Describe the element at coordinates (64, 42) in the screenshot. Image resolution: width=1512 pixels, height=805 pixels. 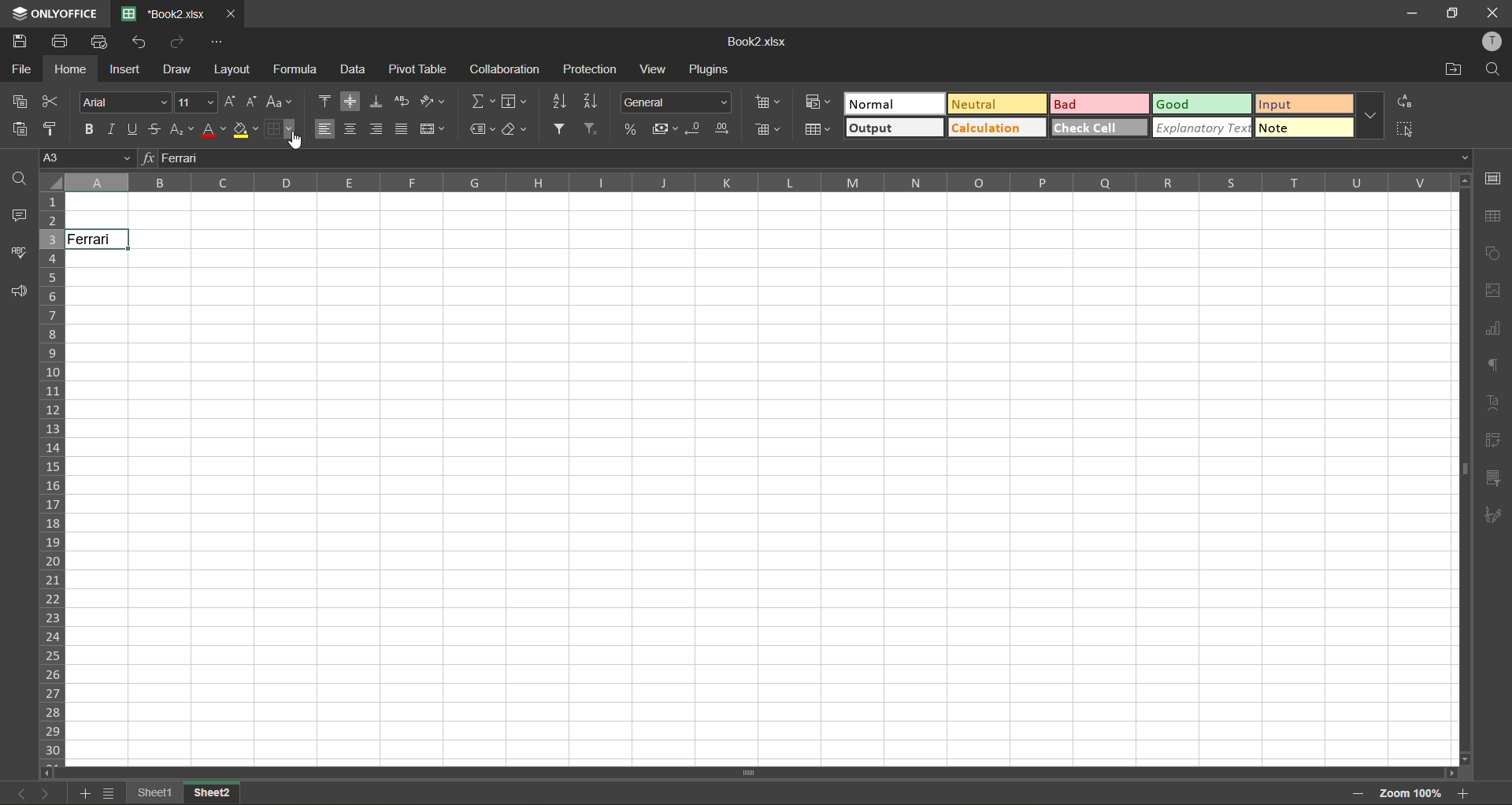
I see `print` at that location.